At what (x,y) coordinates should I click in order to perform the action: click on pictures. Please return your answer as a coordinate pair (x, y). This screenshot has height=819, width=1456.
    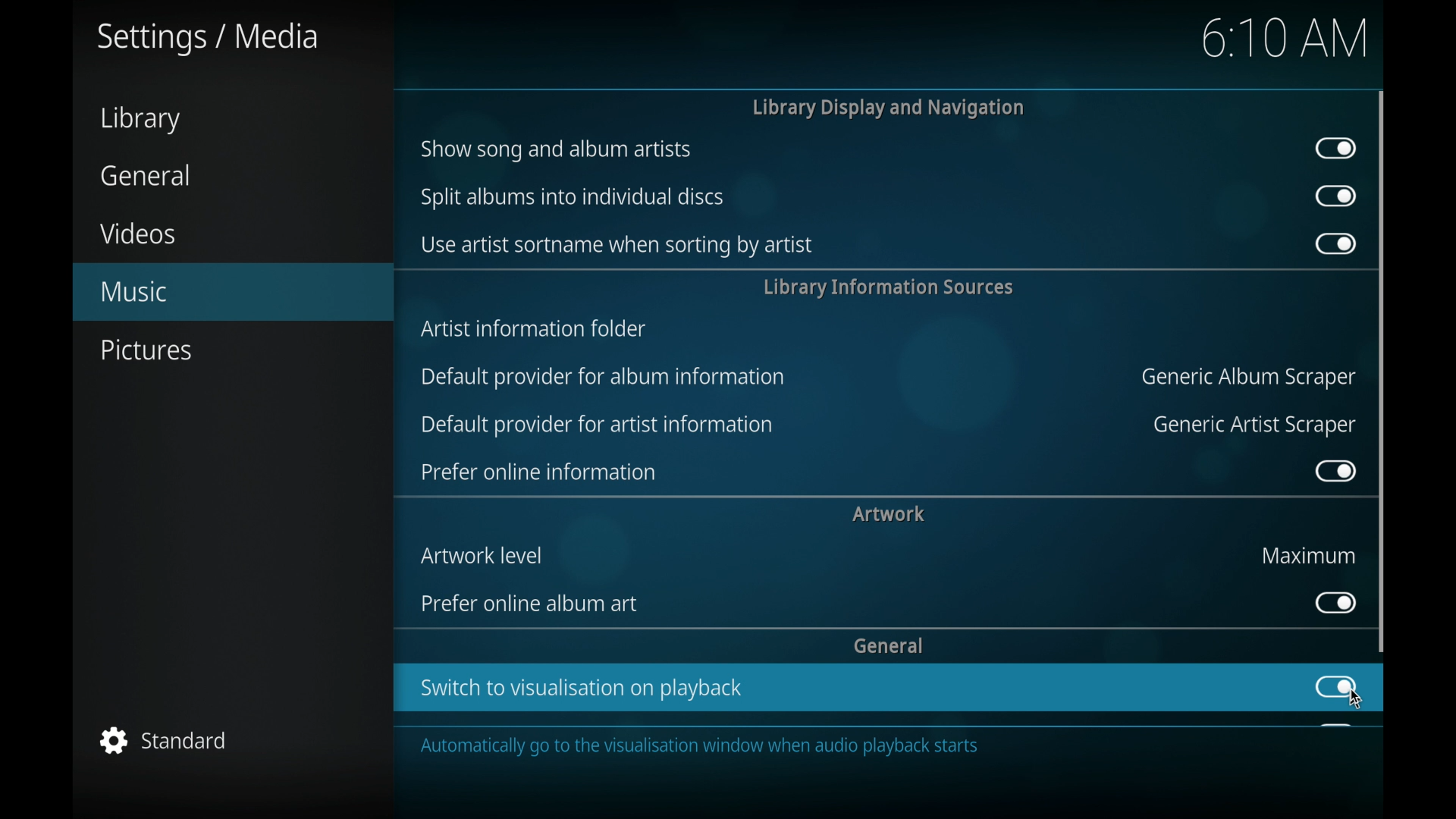
    Looking at the image, I should click on (146, 350).